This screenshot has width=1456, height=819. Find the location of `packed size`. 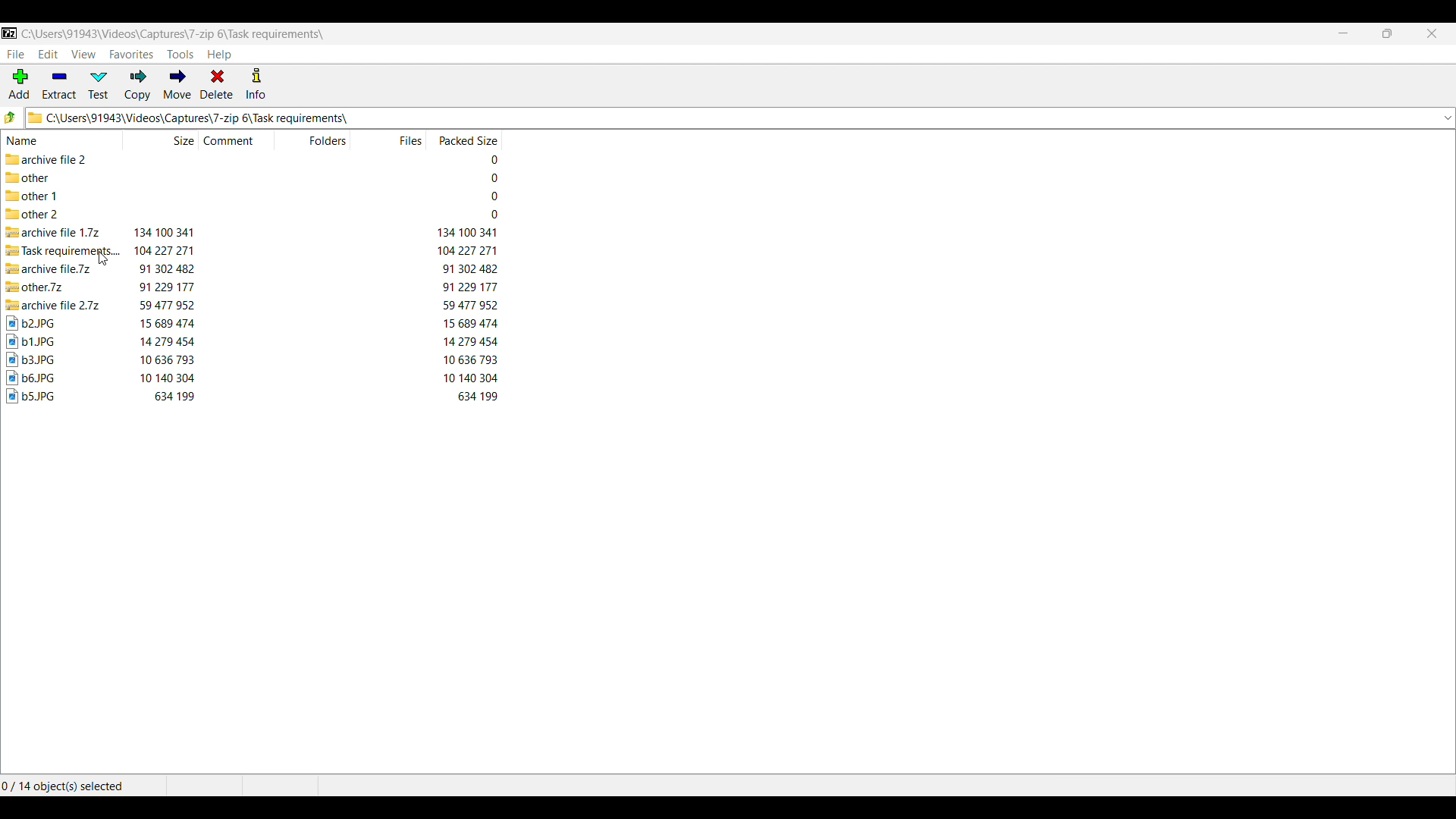

packed size is located at coordinates (462, 287).